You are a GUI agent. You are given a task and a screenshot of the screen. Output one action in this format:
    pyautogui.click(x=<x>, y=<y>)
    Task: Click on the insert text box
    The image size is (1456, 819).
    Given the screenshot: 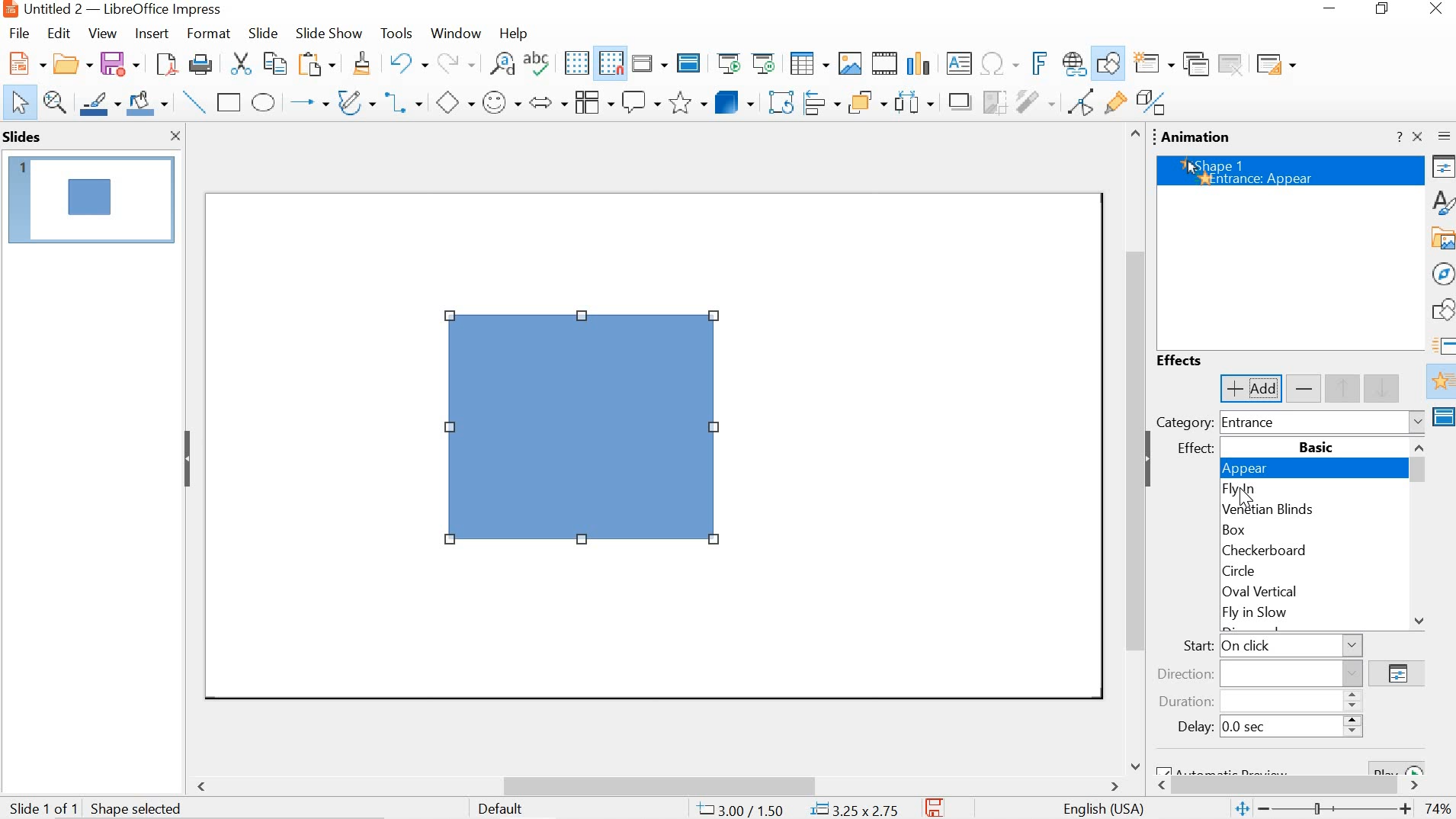 What is the action you would take?
    pyautogui.click(x=959, y=66)
    